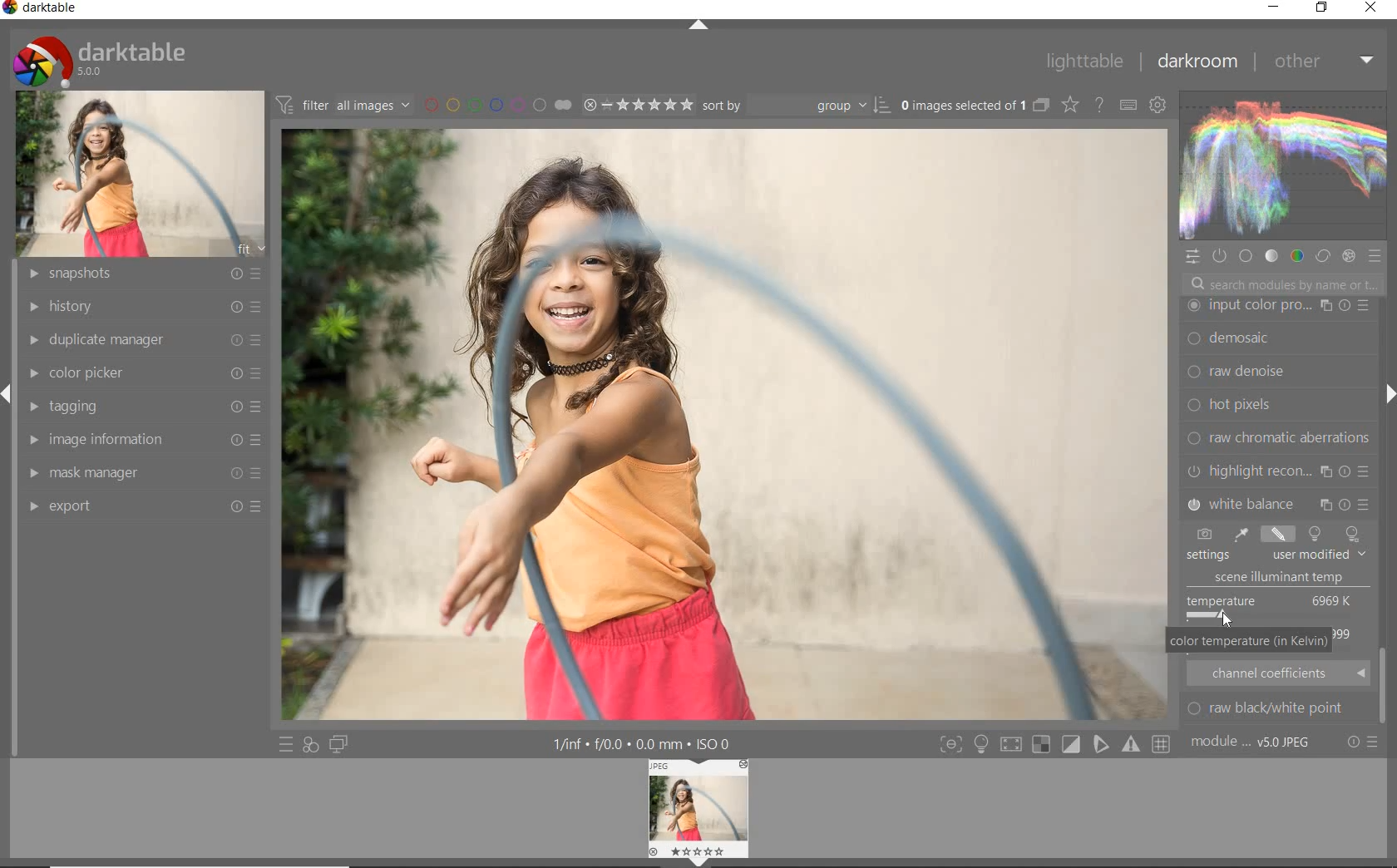 This screenshot has height=868, width=1397. Describe the element at coordinates (1274, 372) in the screenshot. I see `dither or paste` at that location.